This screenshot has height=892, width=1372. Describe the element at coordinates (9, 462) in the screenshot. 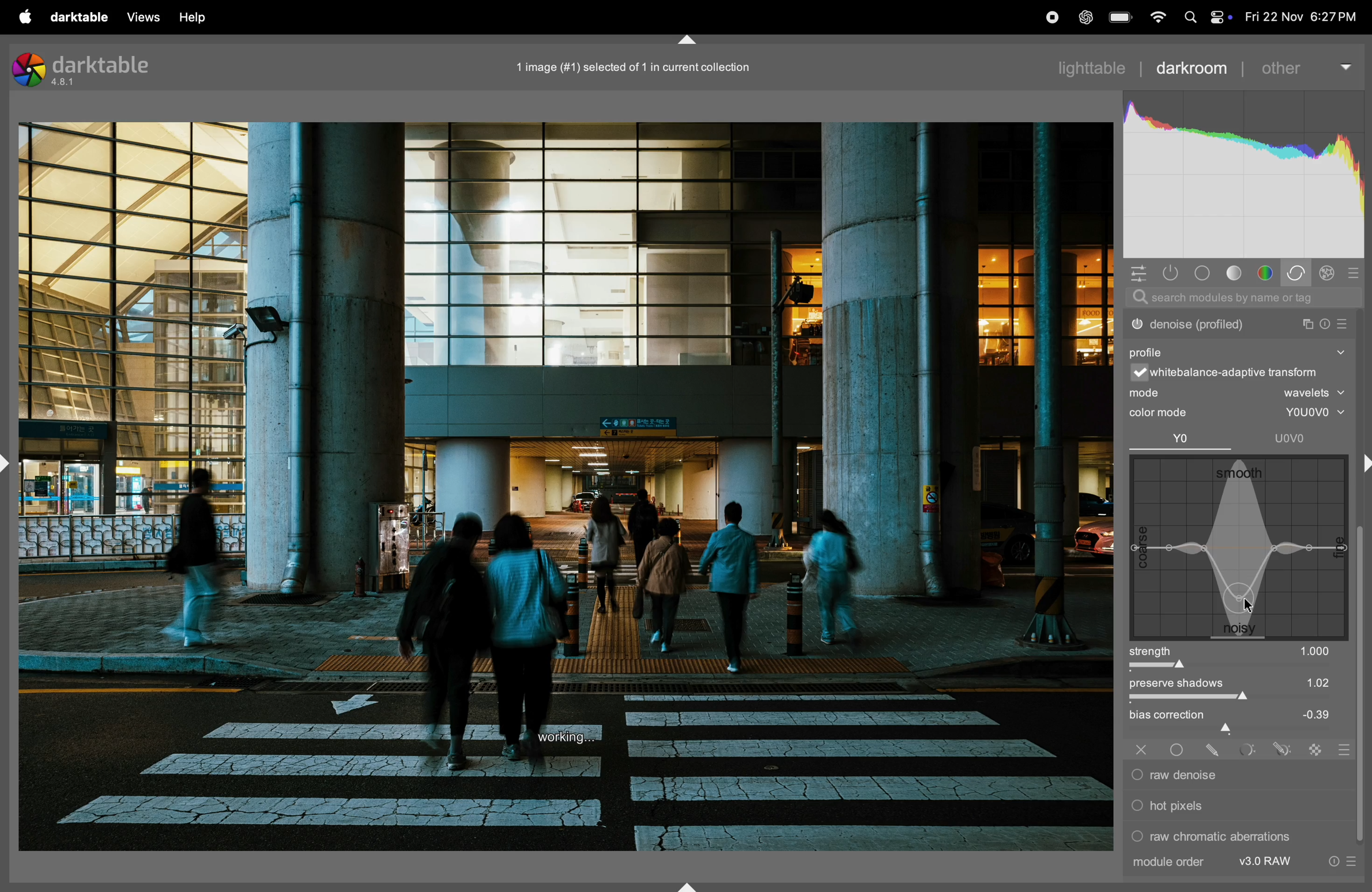

I see `shift+ctrl+l` at that location.